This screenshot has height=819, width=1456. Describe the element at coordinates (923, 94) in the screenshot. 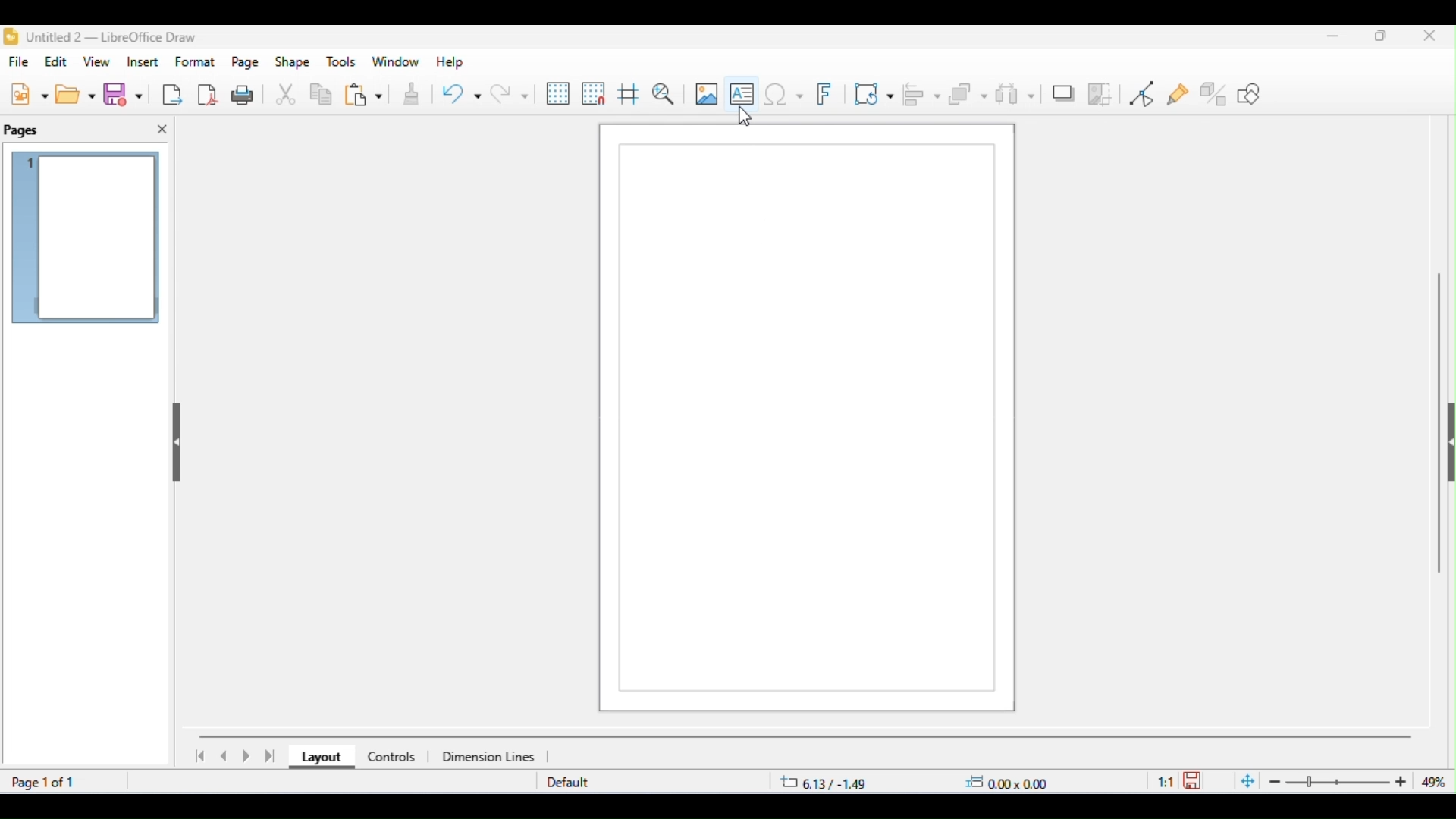

I see `align objects` at that location.